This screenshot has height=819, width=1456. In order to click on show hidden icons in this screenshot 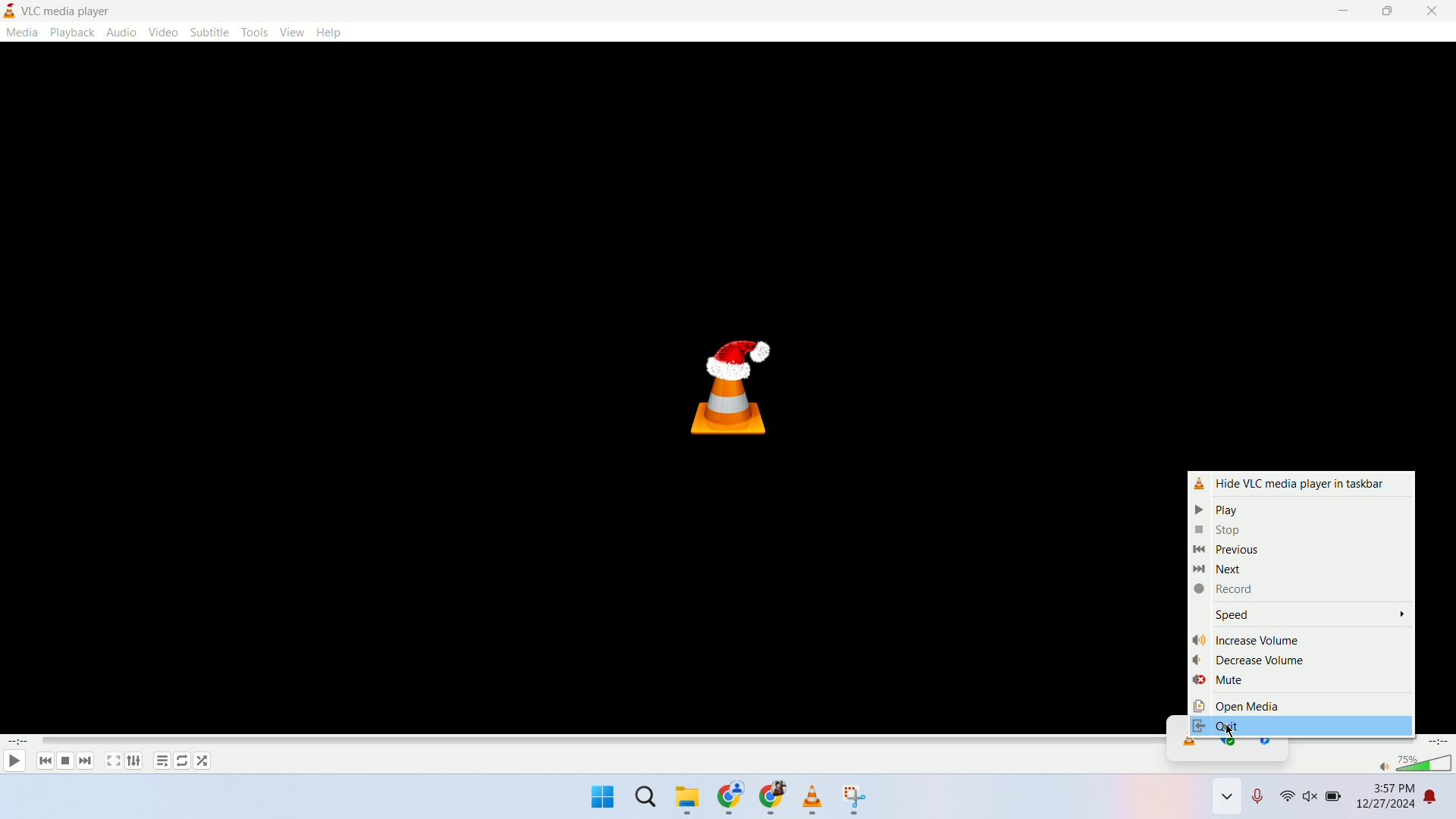, I will do `click(1227, 800)`.